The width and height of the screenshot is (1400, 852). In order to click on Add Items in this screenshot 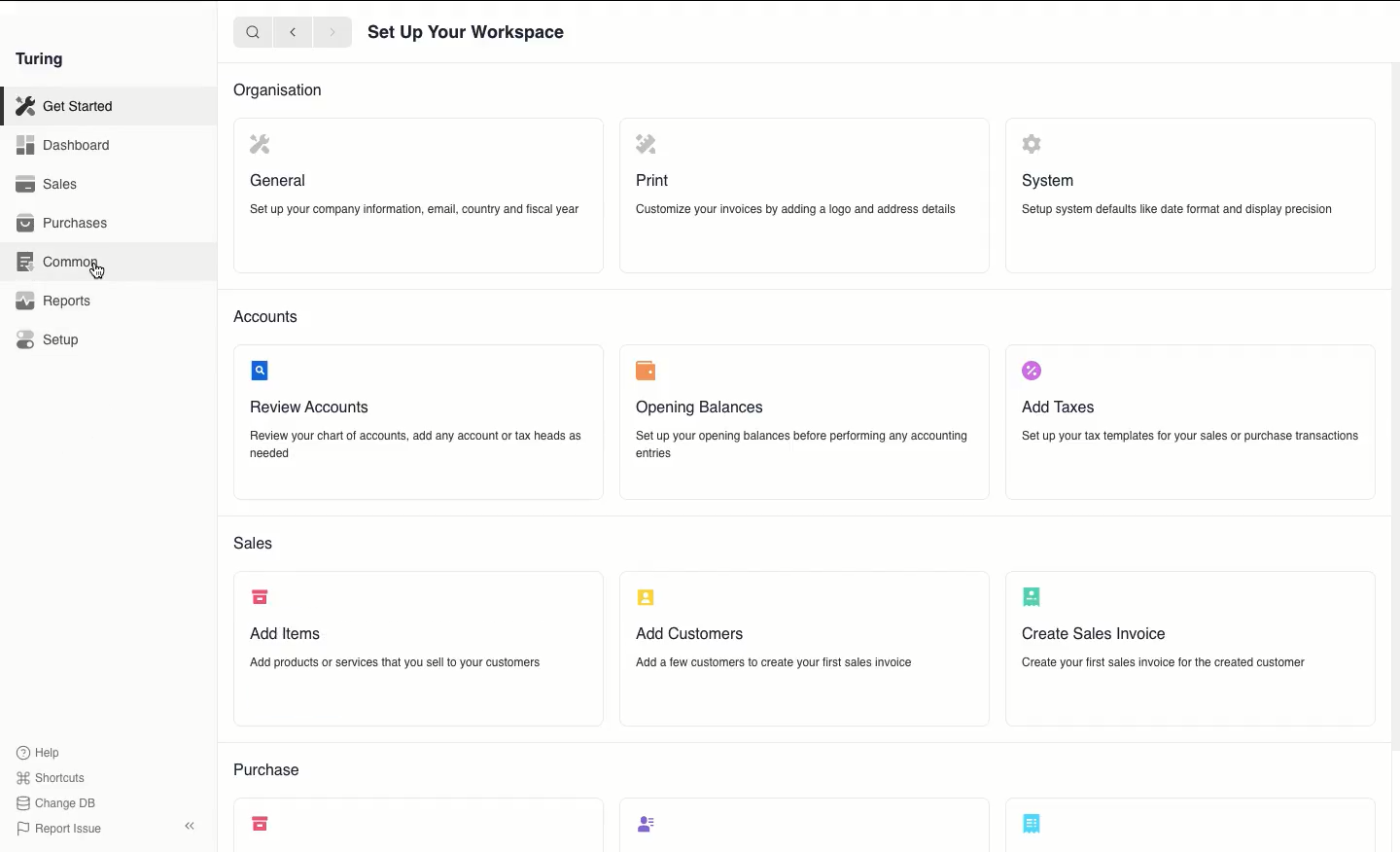, I will do `click(287, 613)`.